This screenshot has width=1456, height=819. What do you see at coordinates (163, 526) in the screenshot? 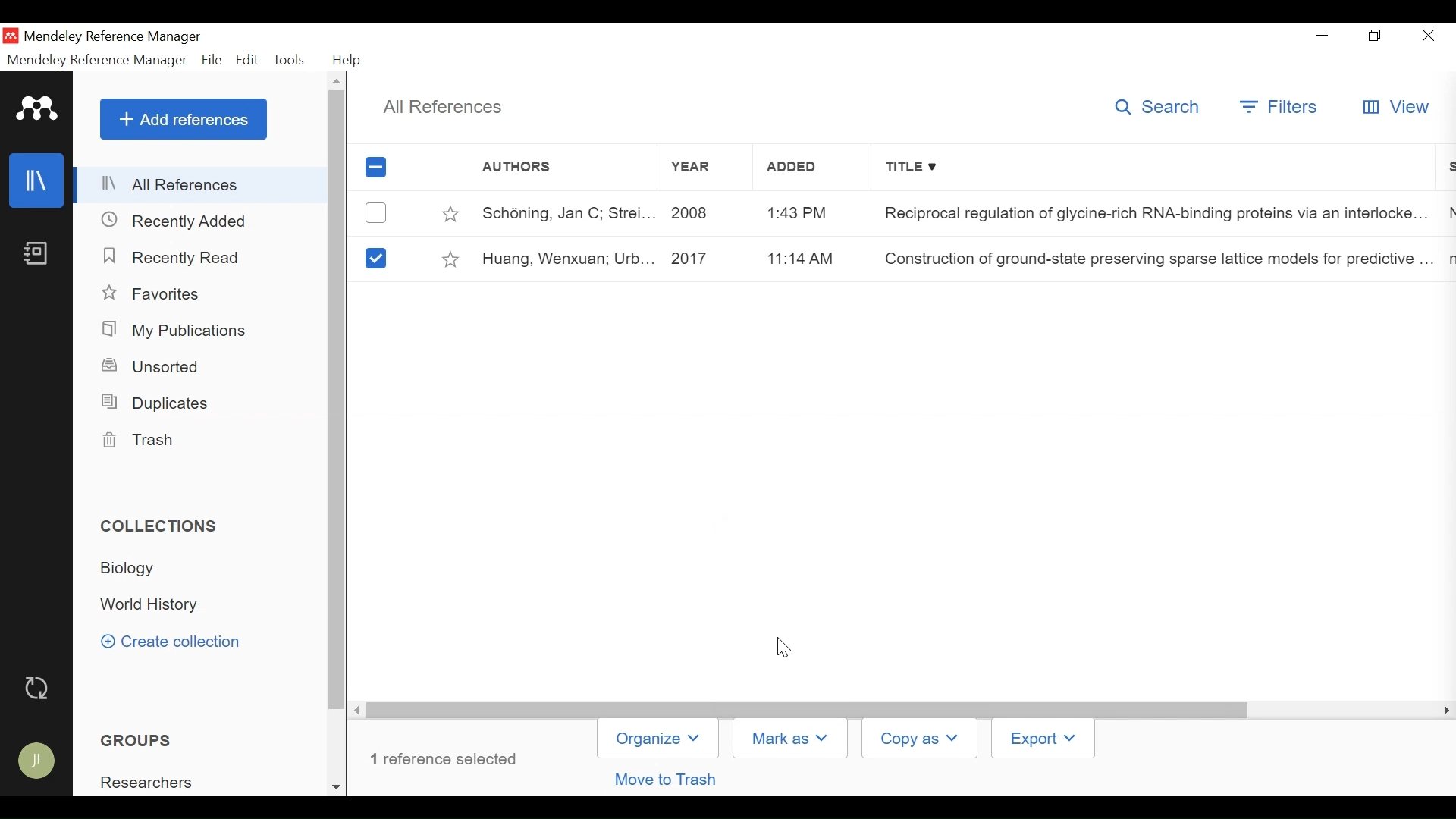
I see `Collection` at bounding box center [163, 526].